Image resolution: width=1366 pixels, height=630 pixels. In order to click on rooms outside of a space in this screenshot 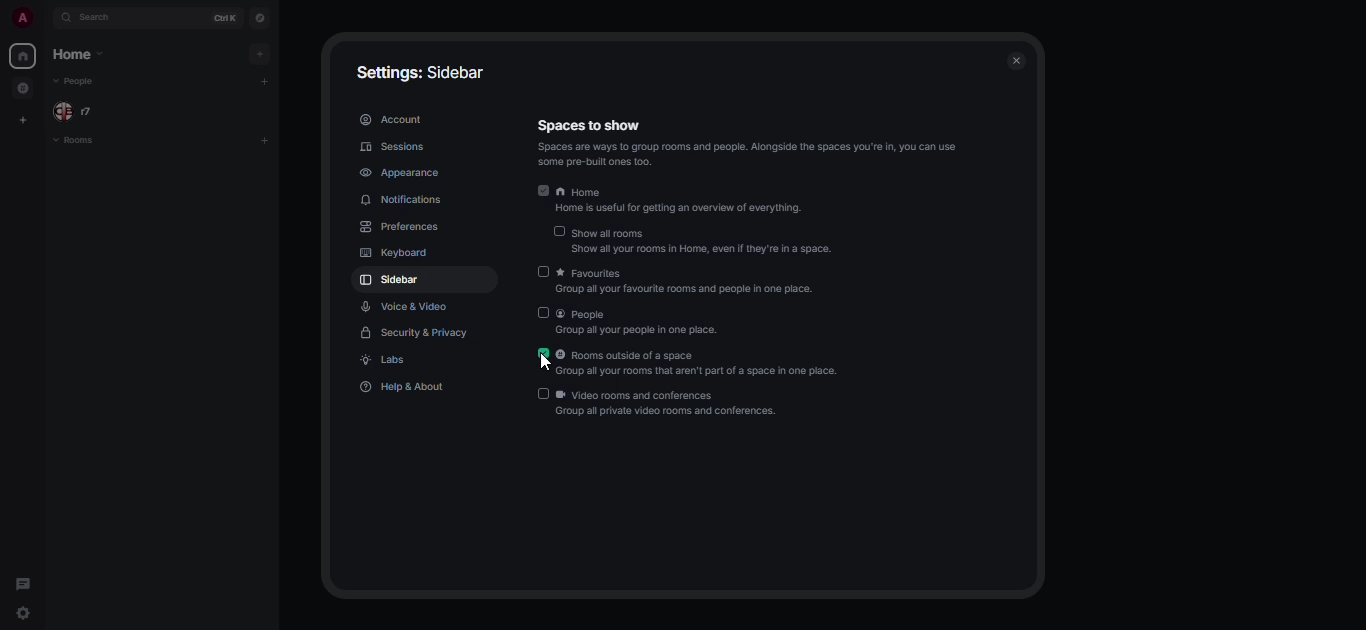, I will do `click(708, 356)`.